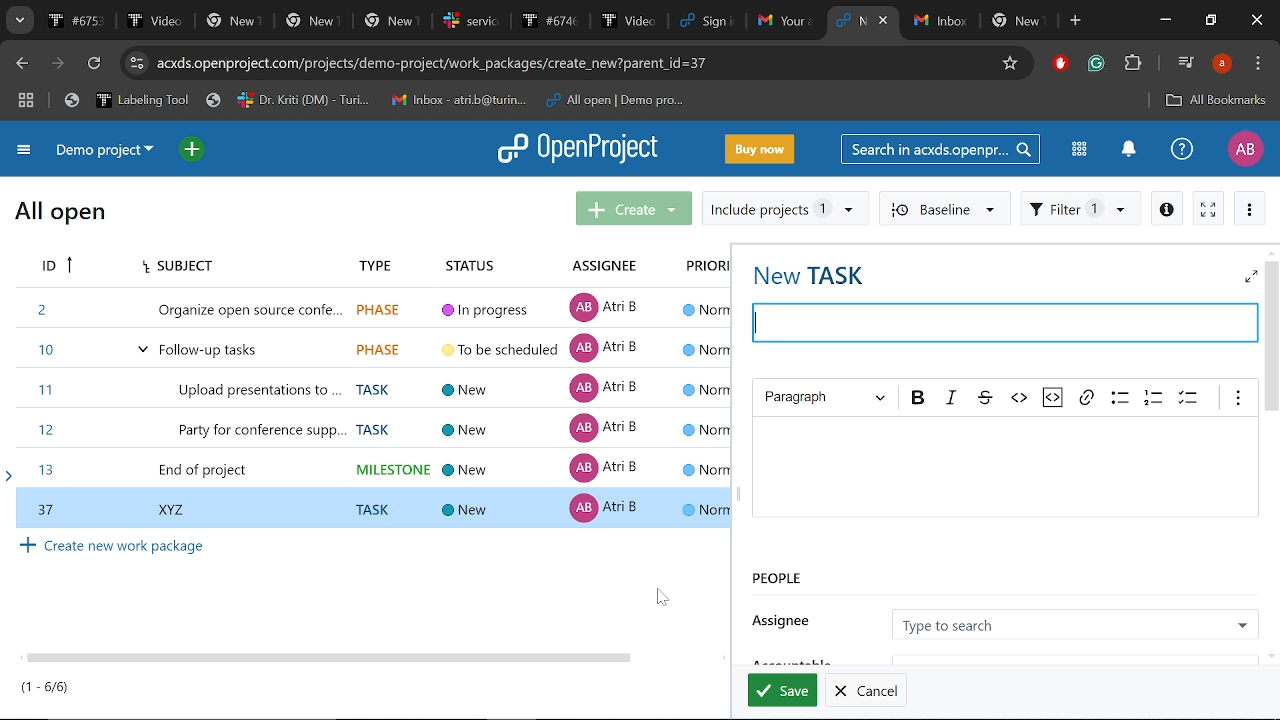 The image size is (1280, 720). Describe the element at coordinates (432, 20) in the screenshot. I see `Tabs` at that location.